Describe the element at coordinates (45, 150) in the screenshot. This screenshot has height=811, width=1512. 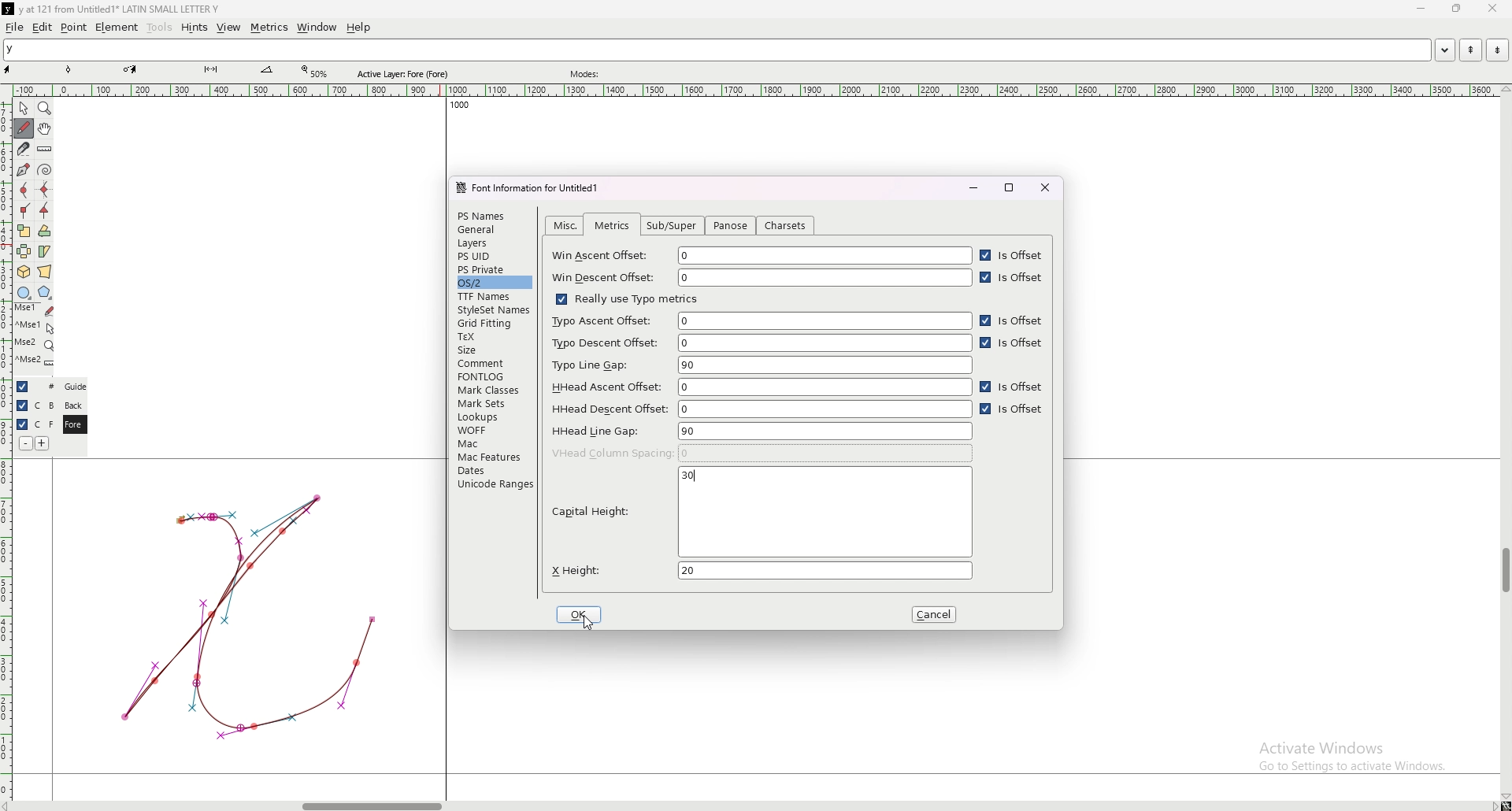
I see `measure distance` at that location.